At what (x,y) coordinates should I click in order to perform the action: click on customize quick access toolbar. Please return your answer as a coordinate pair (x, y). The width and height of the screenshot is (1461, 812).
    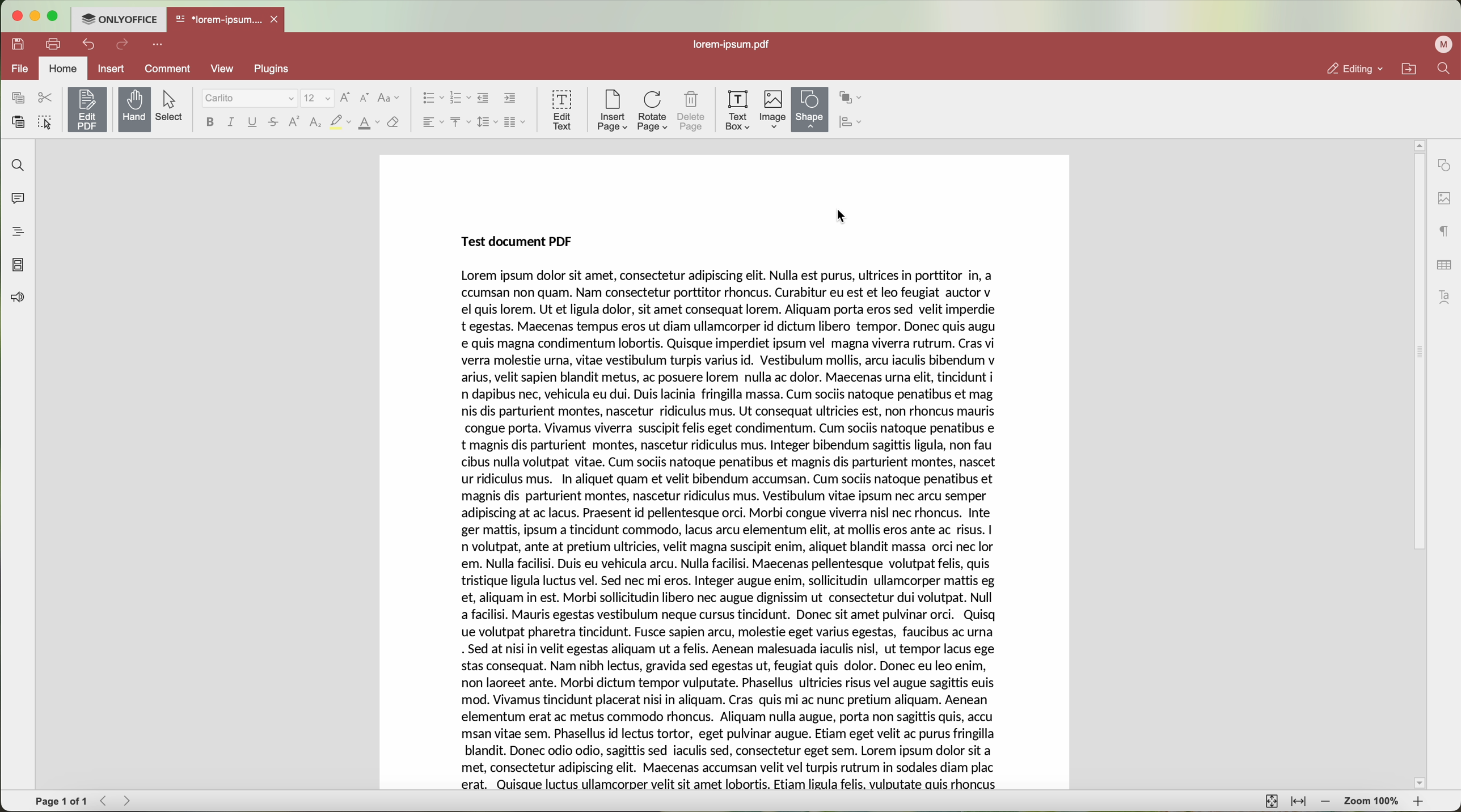
    Looking at the image, I should click on (160, 45).